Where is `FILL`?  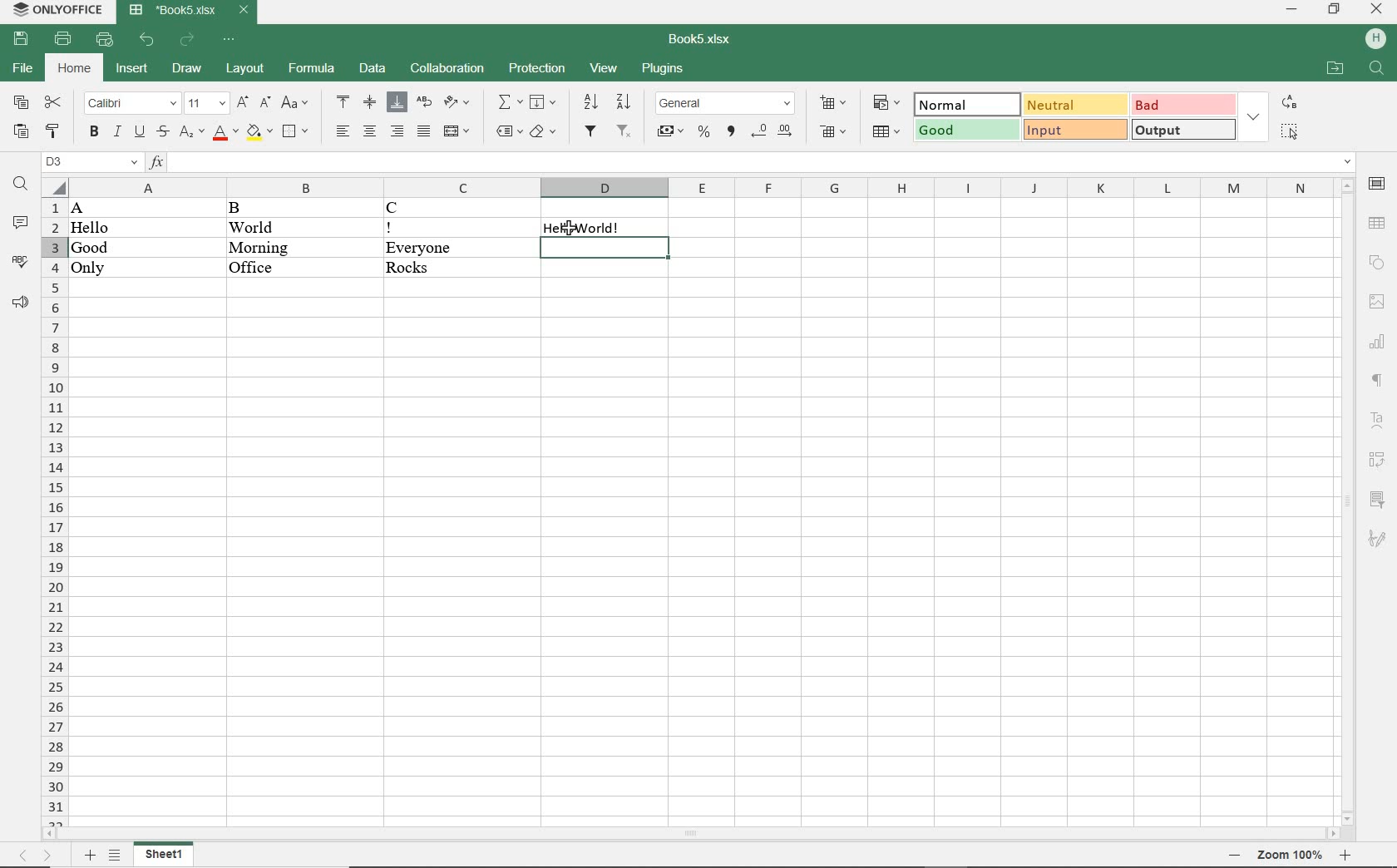
FILL is located at coordinates (545, 102).